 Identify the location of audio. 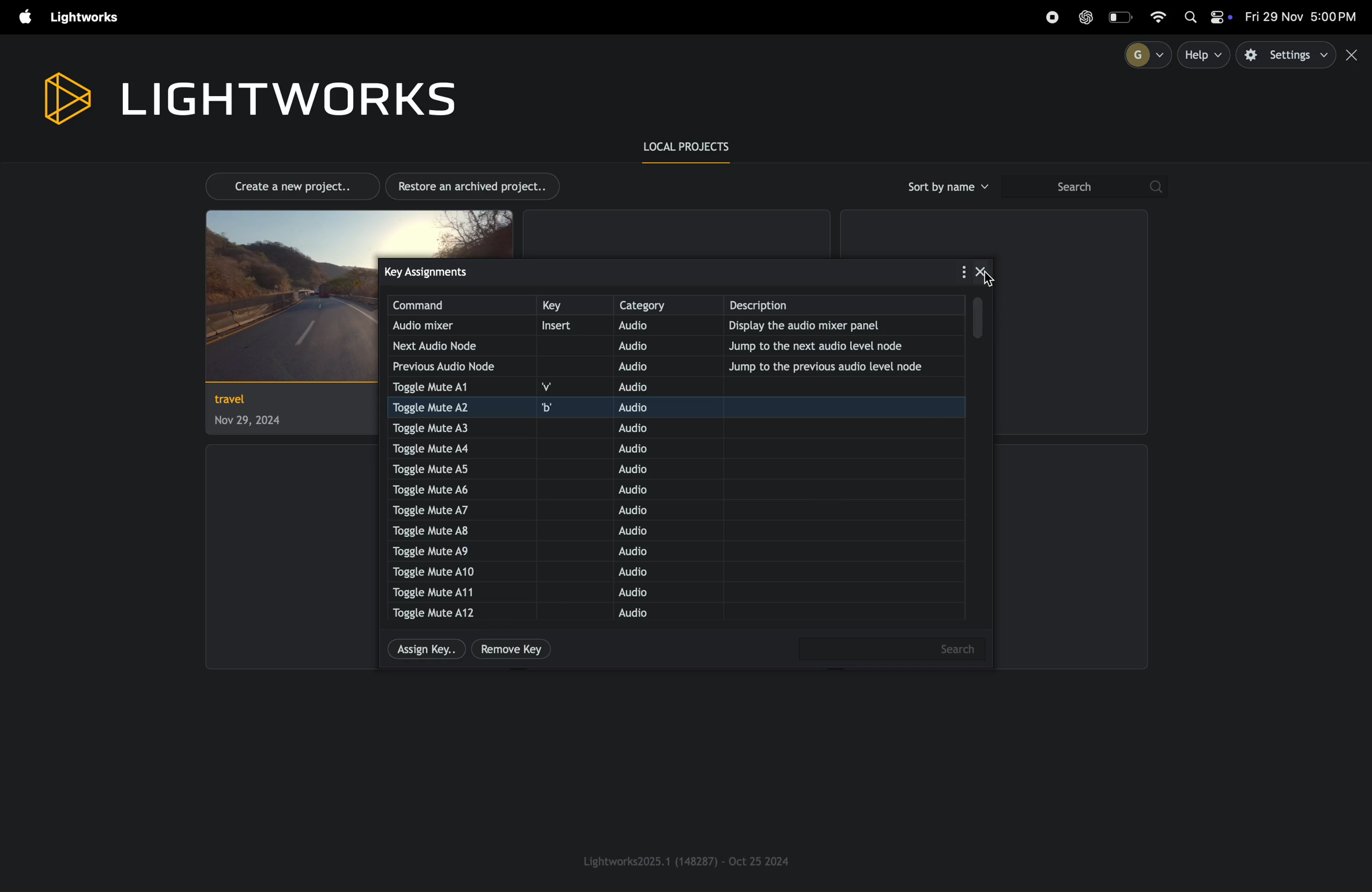
(658, 553).